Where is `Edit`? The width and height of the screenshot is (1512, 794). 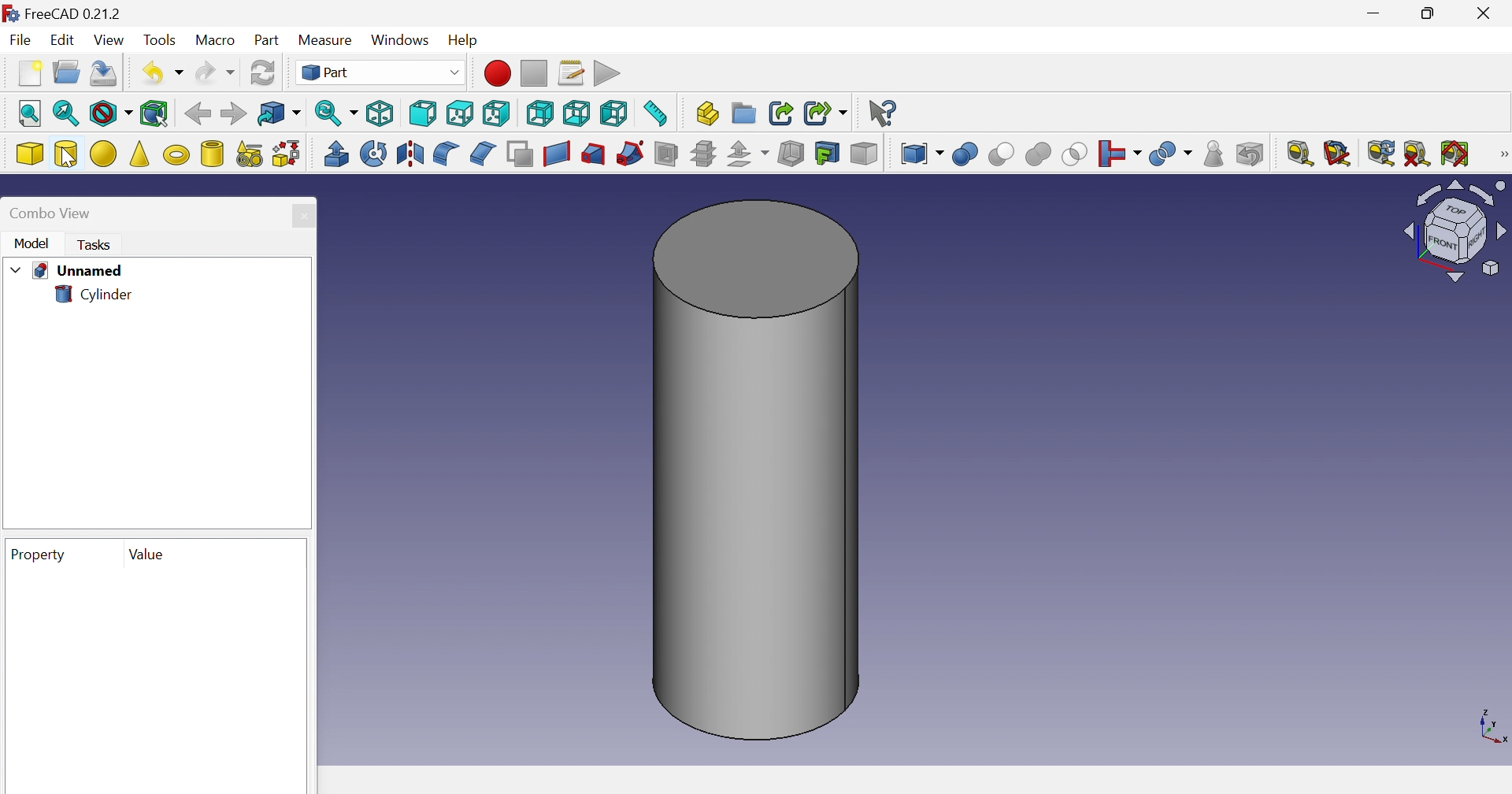
Edit is located at coordinates (61, 43).